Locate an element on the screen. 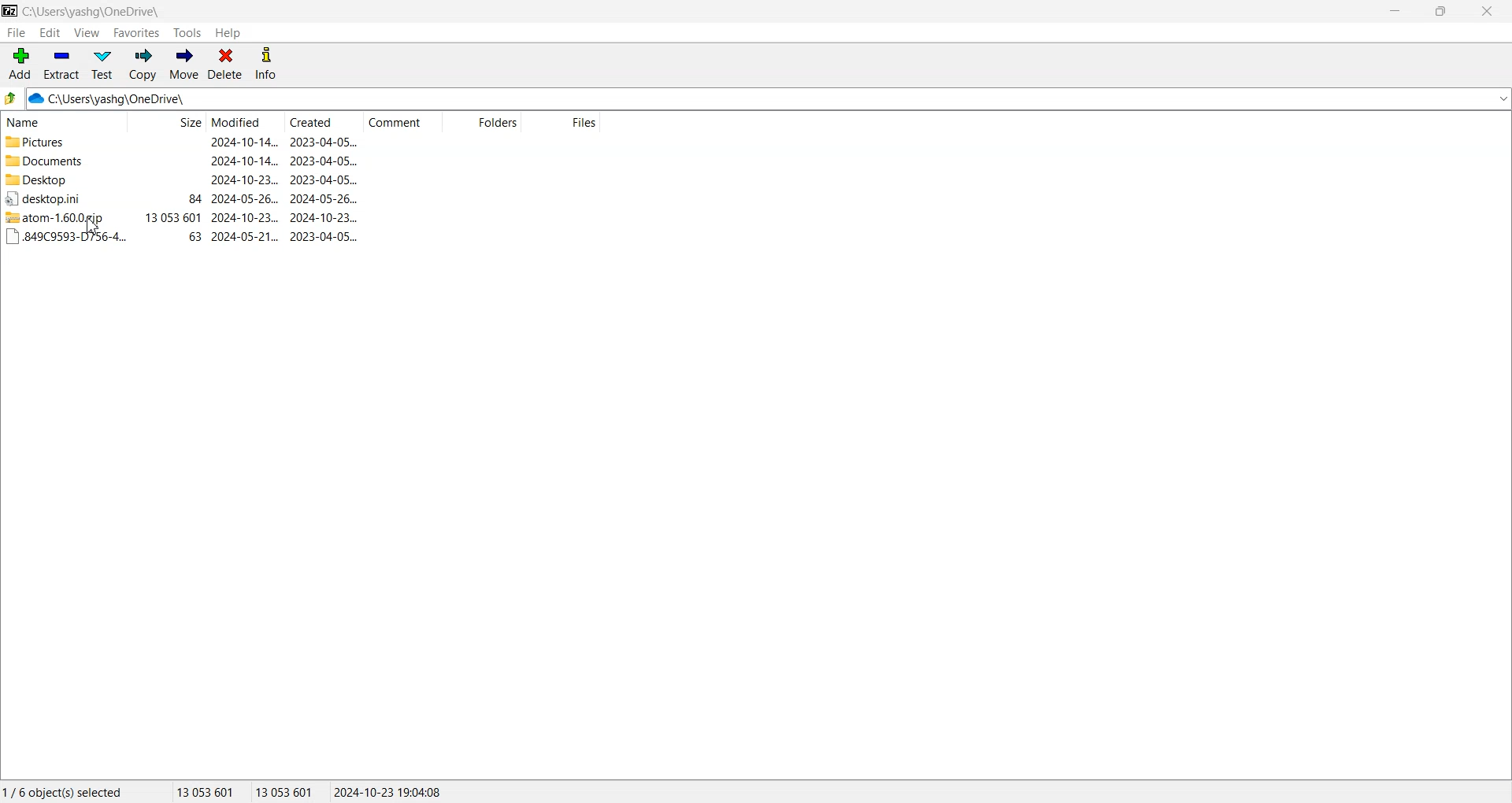 The image size is (1512, 803). 84 is located at coordinates (195, 199).